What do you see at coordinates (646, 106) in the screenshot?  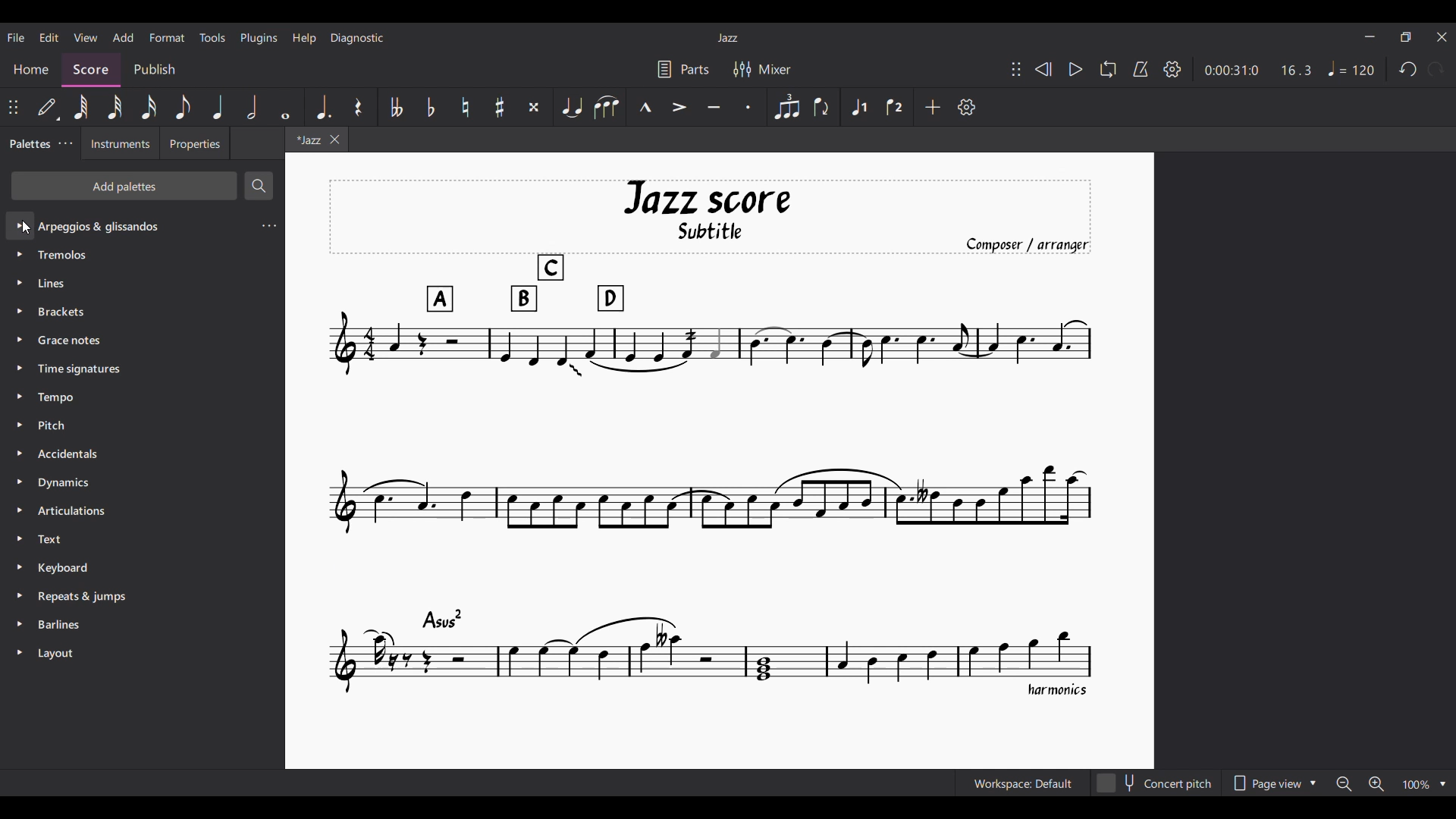 I see `Marcato` at bounding box center [646, 106].